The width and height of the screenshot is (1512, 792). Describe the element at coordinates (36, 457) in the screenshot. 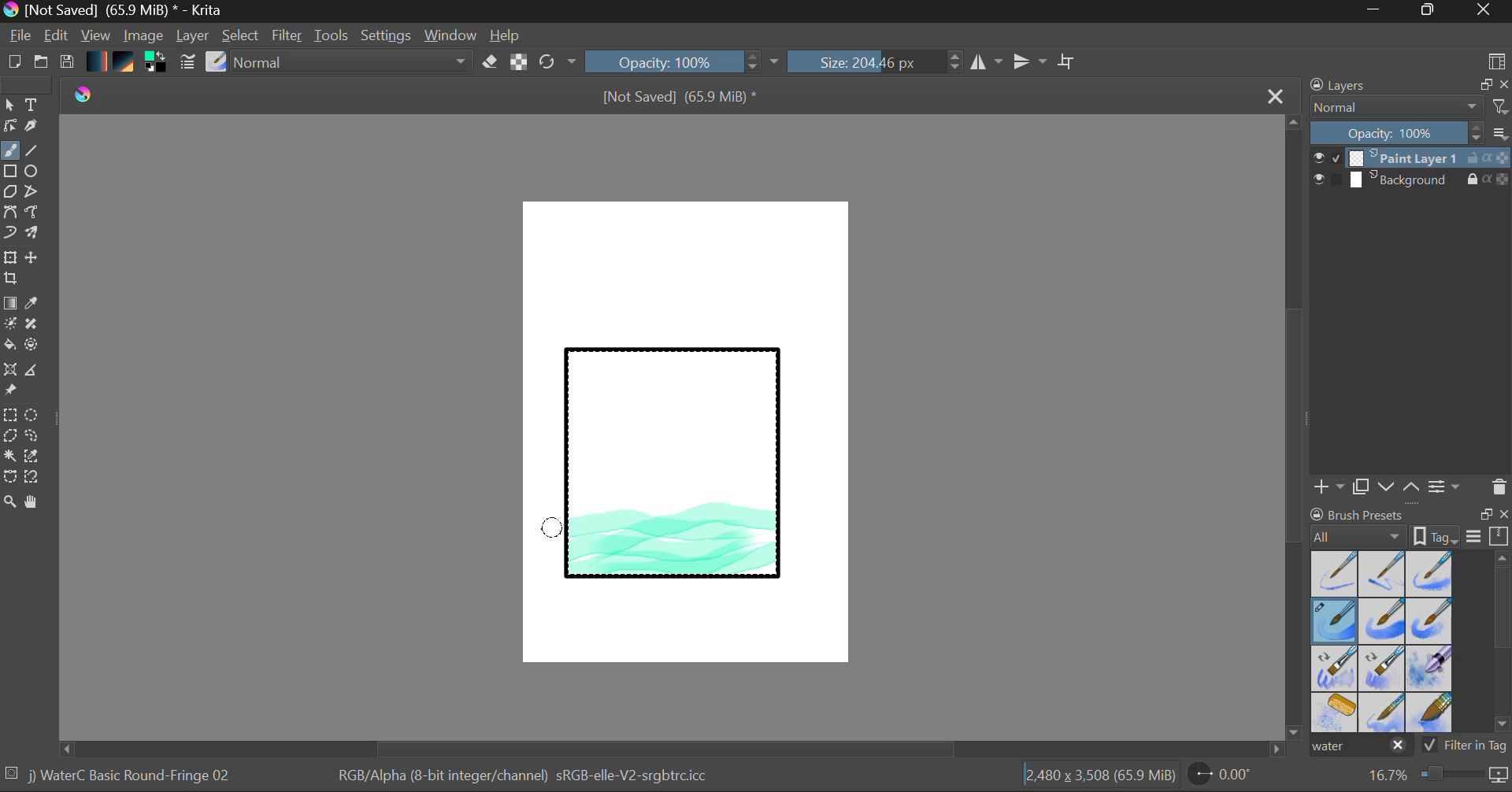

I see `Similar Color Selector` at that location.